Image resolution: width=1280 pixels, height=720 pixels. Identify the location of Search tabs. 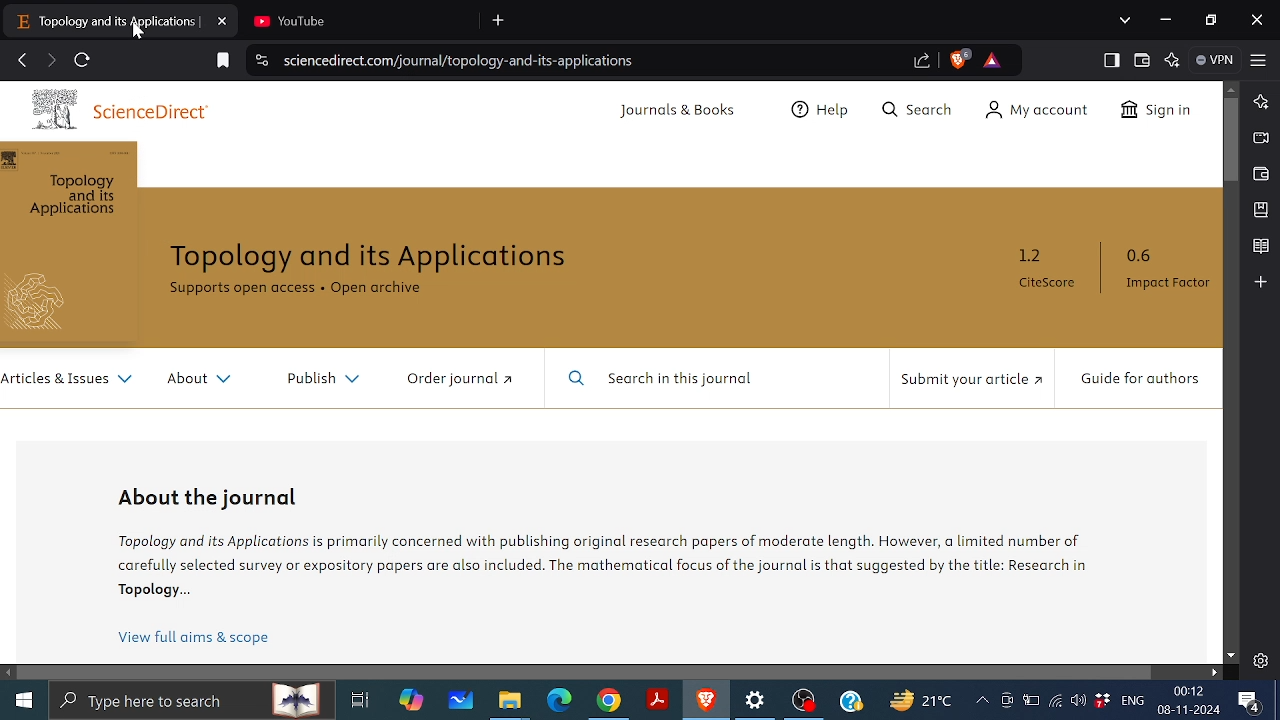
(1127, 20).